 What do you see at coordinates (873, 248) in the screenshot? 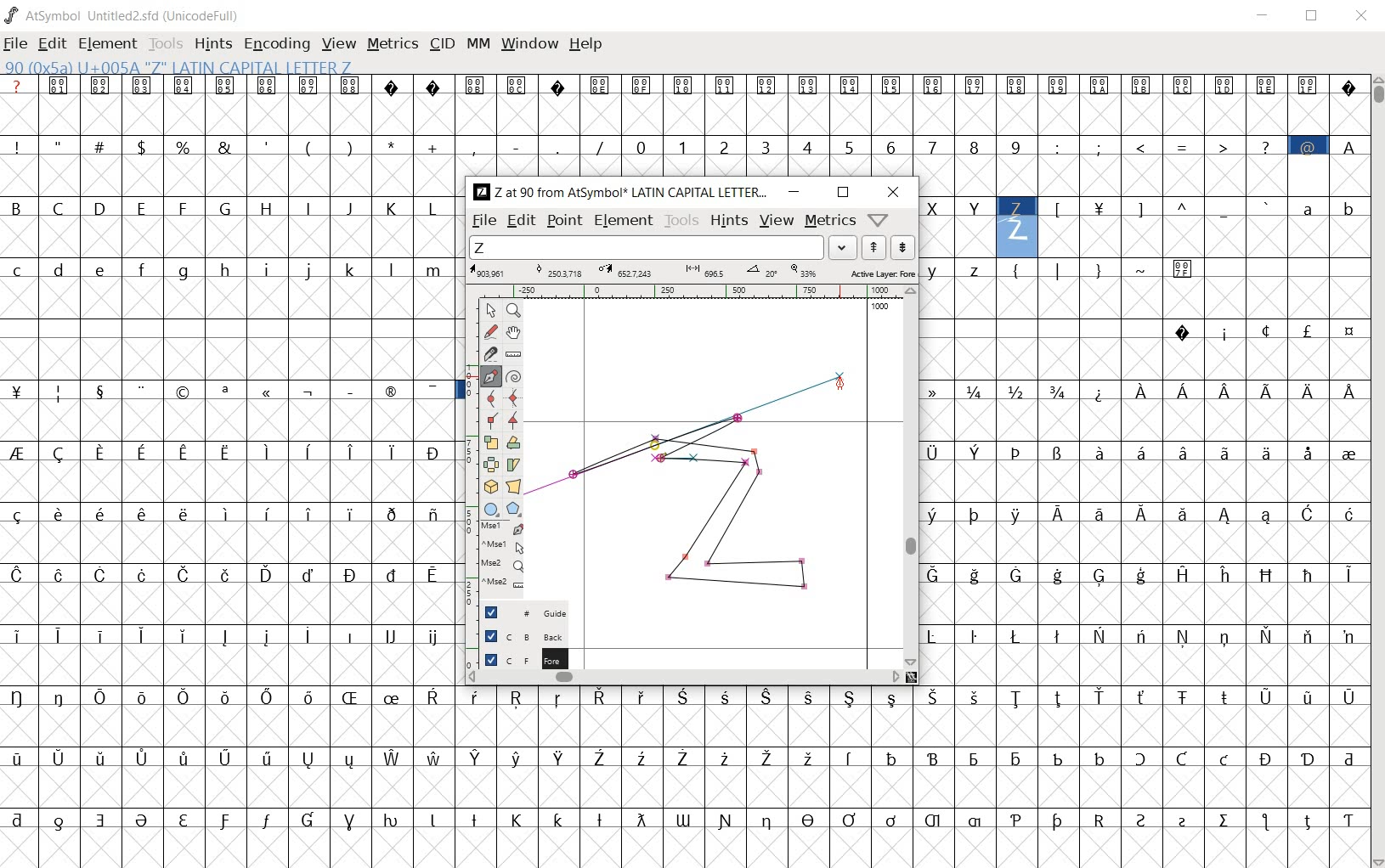
I see `show the next word on the list` at bounding box center [873, 248].